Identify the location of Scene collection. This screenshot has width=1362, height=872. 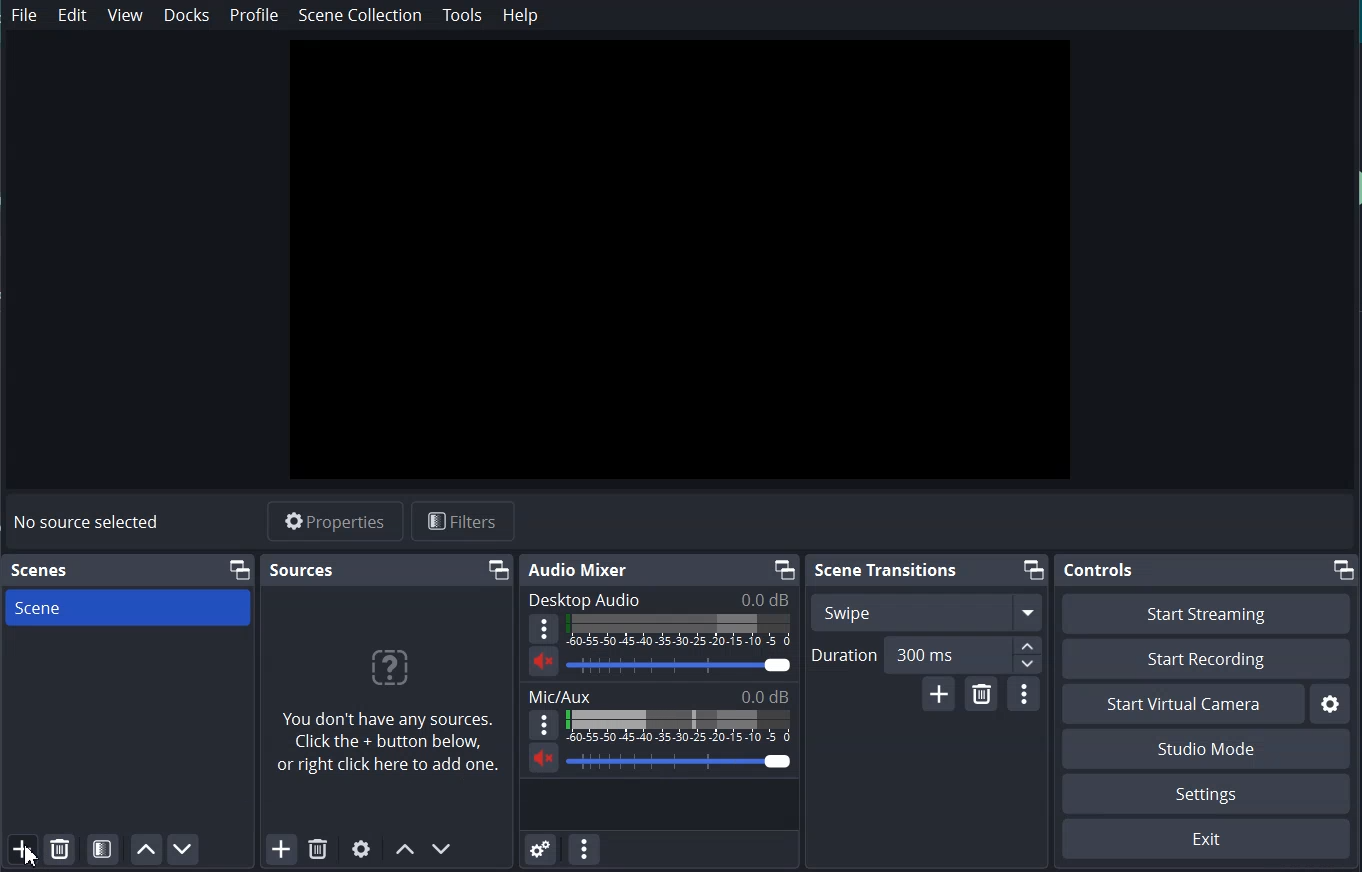
(360, 15).